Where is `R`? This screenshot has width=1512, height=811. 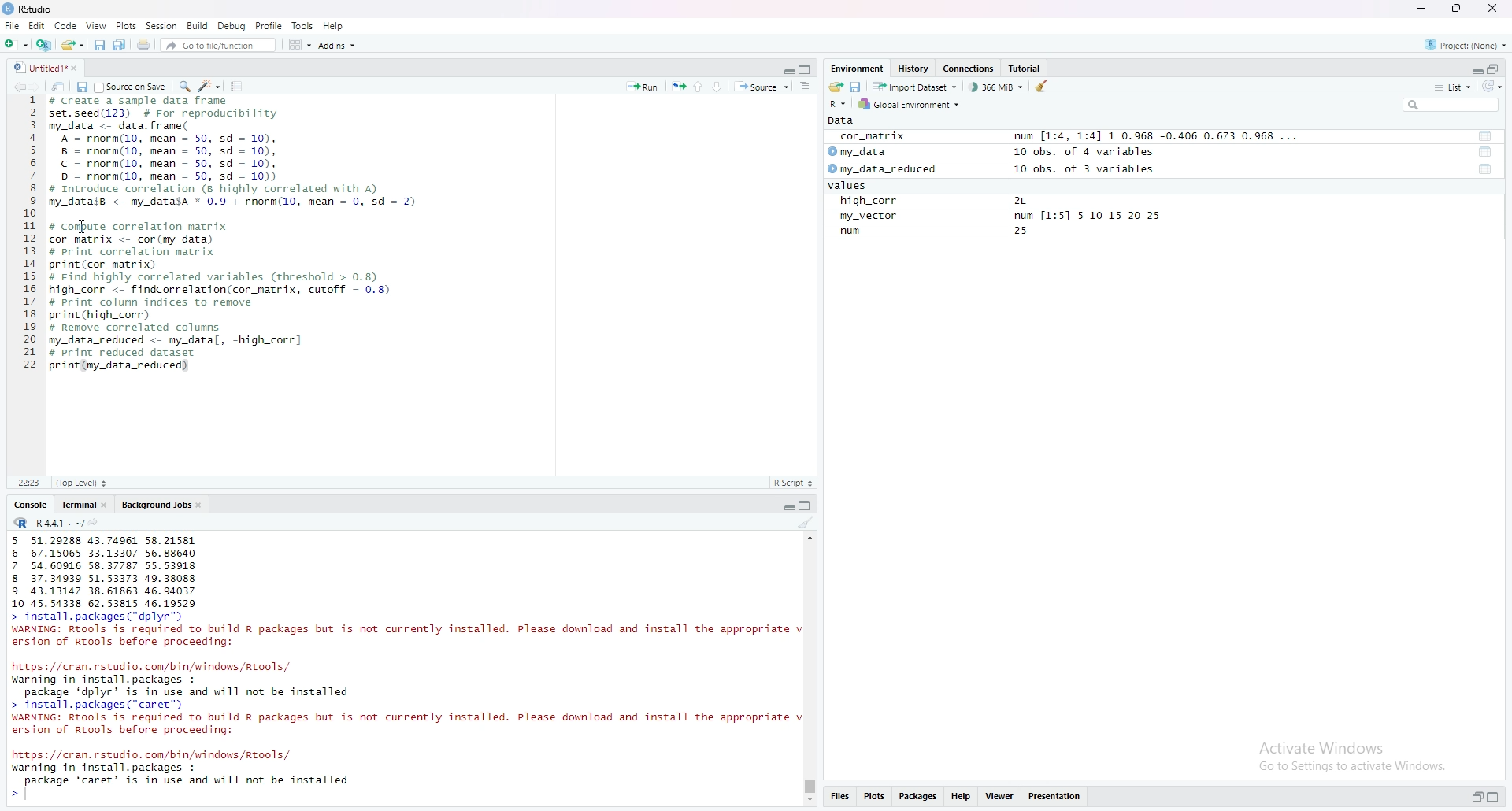
R is located at coordinates (838, 104).